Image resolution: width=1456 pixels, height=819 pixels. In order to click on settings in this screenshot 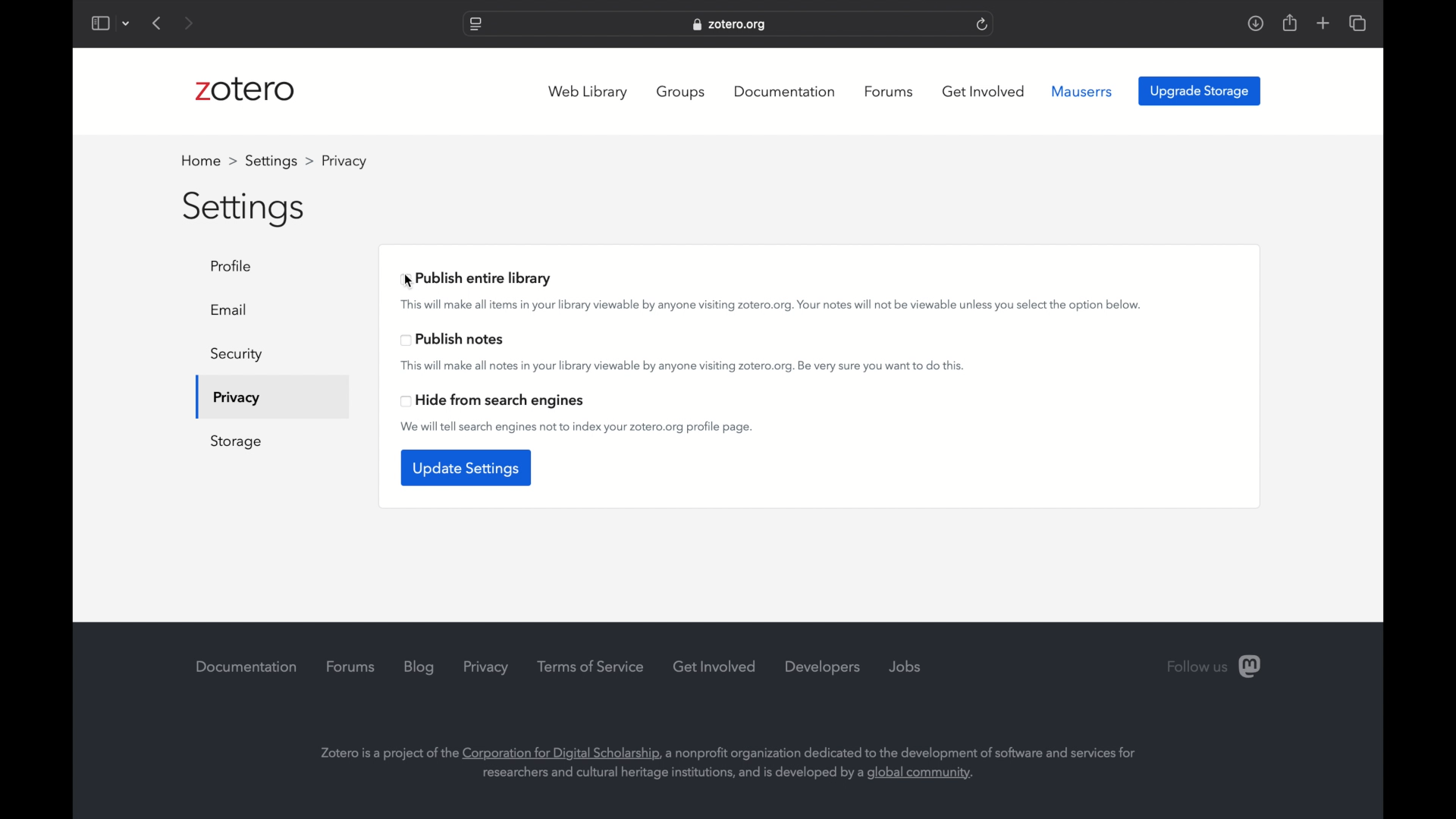, I will do `click(246, 210)`.